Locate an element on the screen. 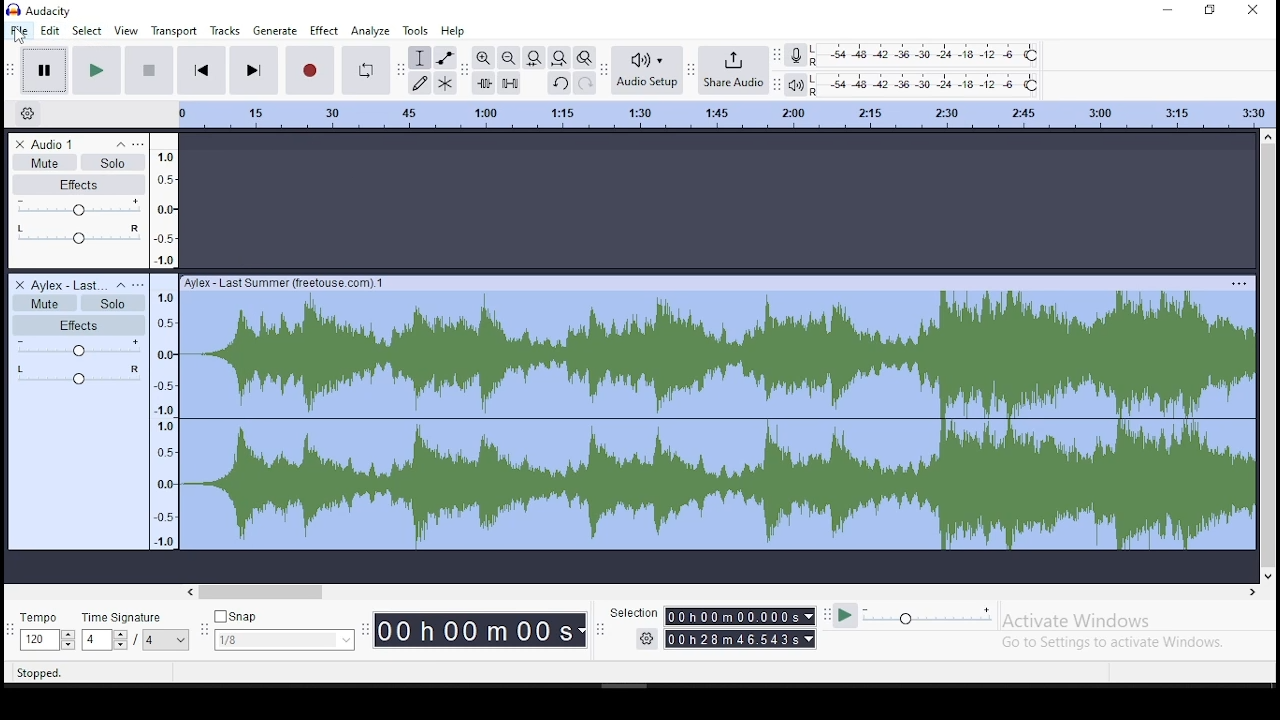 Image resolution: width=1280 pixels, height=720 pixels. restore is located at coordinates (1212, 11).